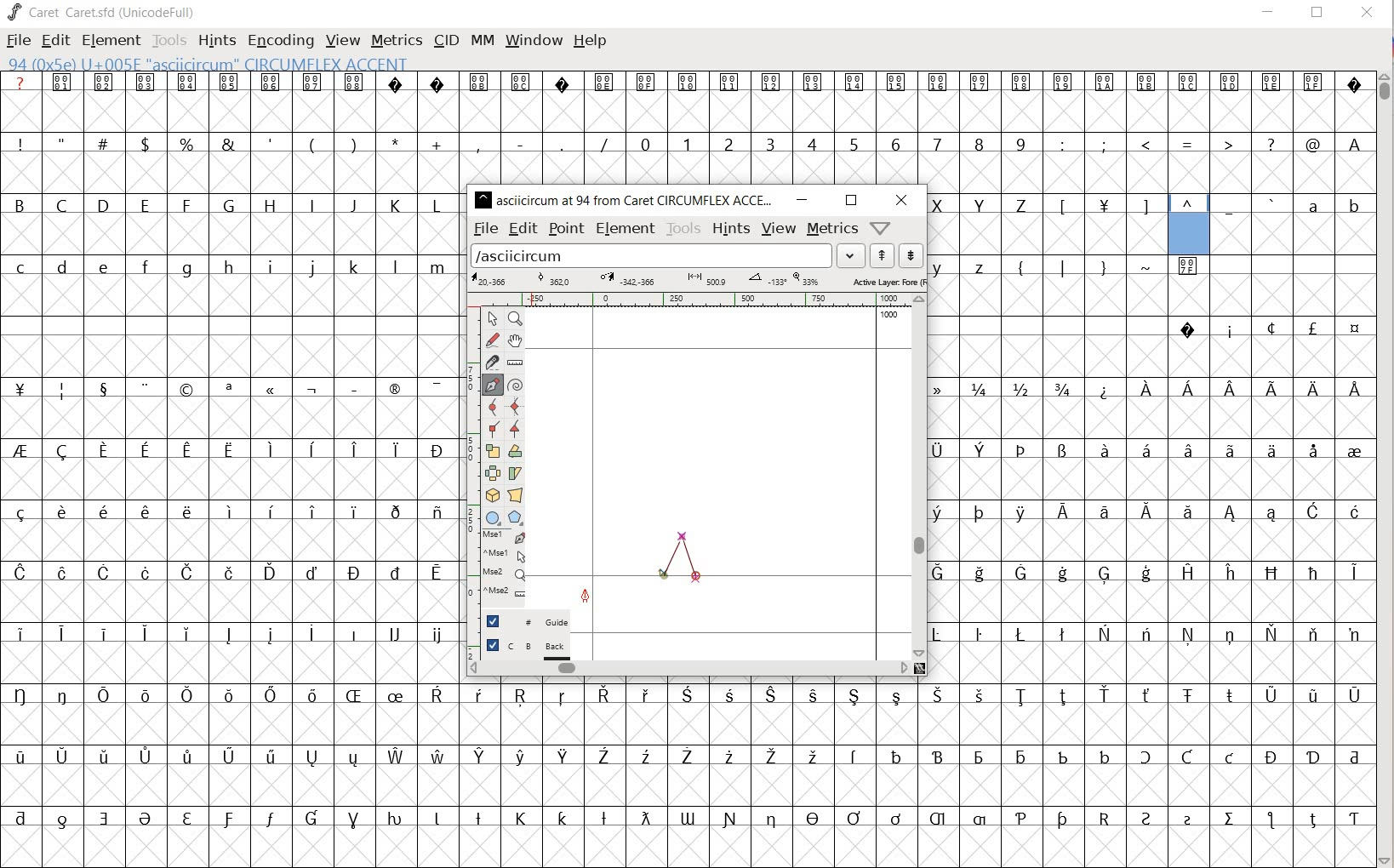  What do you see at coordinates (1365, 14) in the screenshot?
I see `CLOSE` at bounding box center [1365, 14].